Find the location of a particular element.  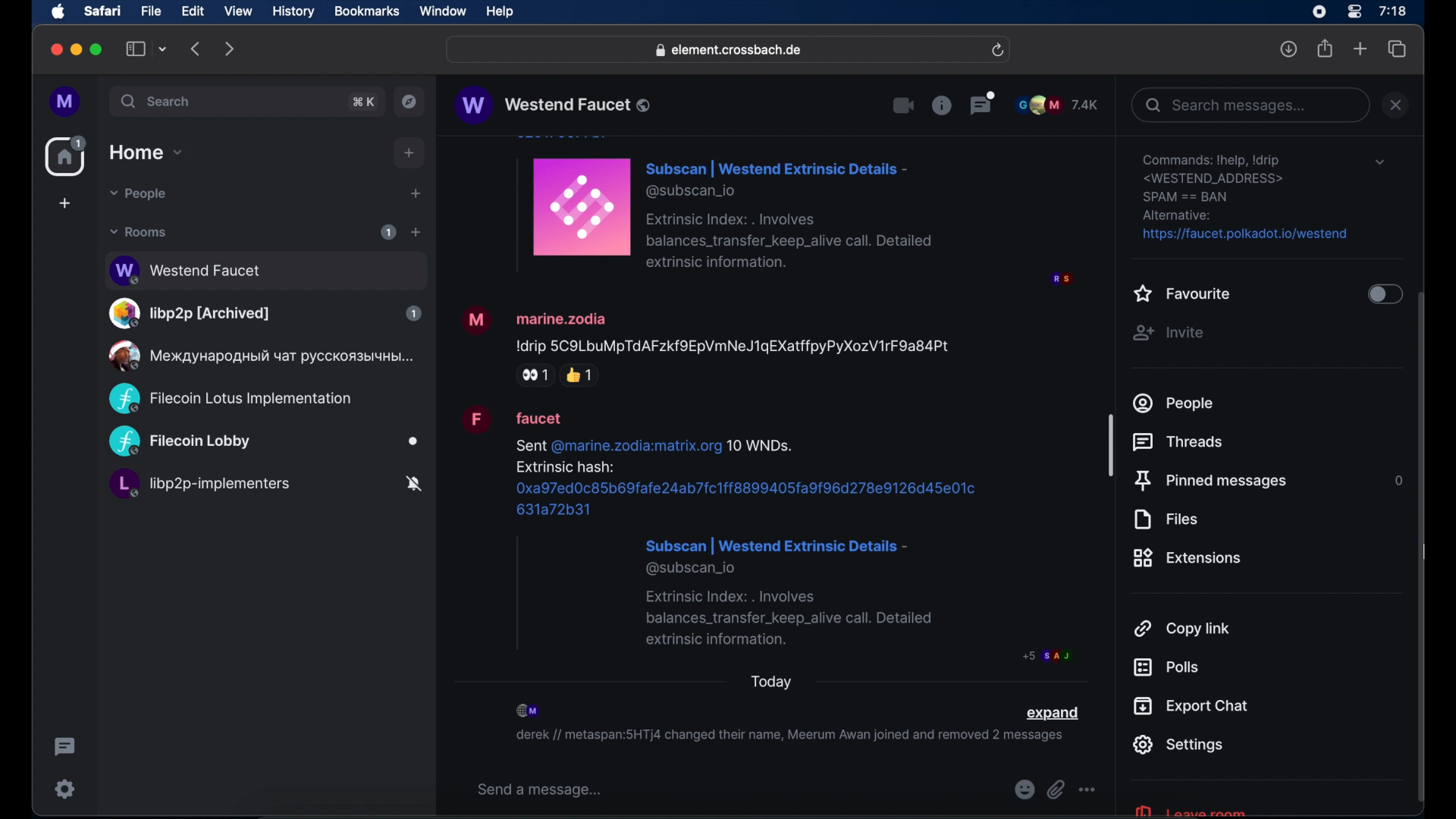

window is located at coordinates (443, 11).